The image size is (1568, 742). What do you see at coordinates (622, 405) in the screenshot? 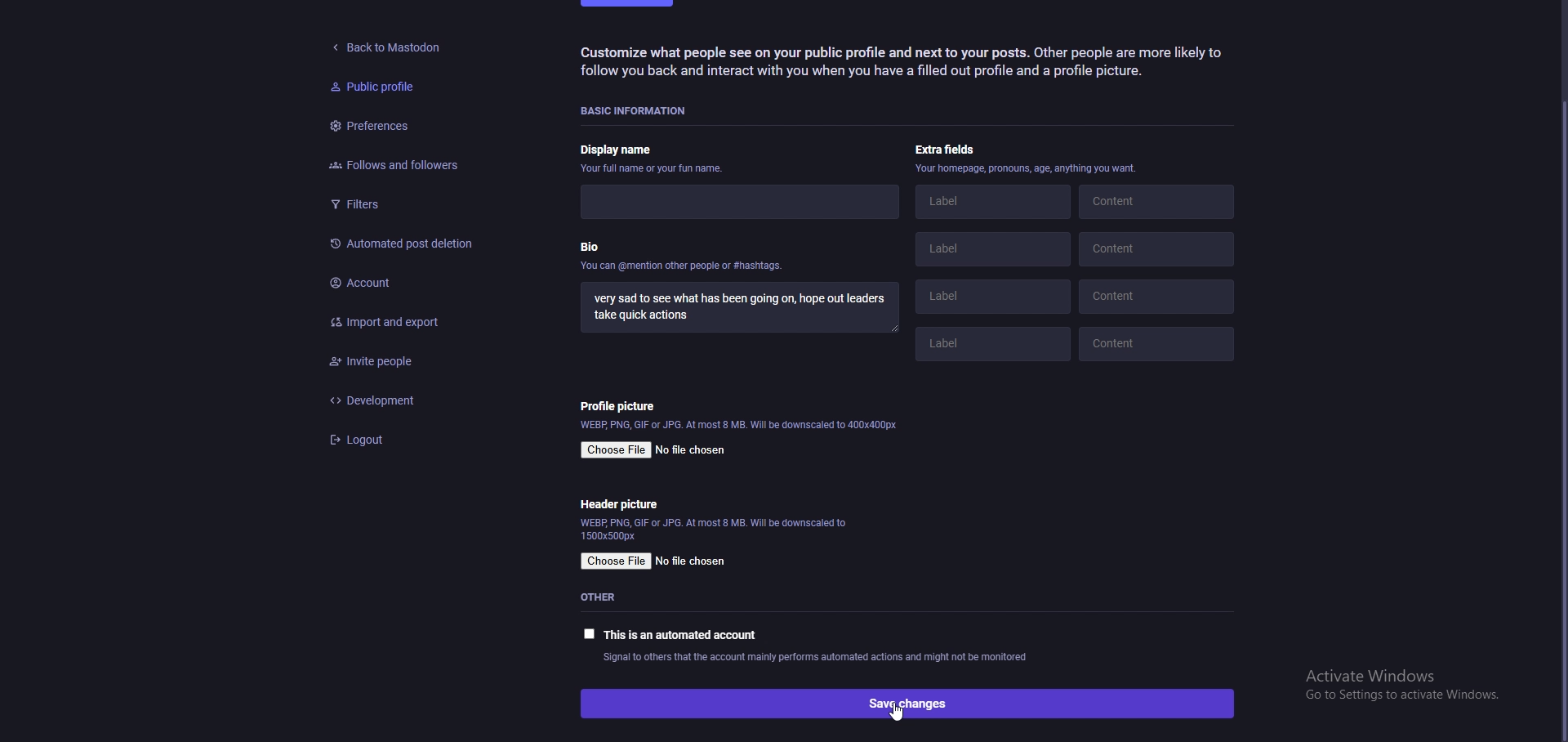
I see `profile picture` at bounding box center [622, 405].